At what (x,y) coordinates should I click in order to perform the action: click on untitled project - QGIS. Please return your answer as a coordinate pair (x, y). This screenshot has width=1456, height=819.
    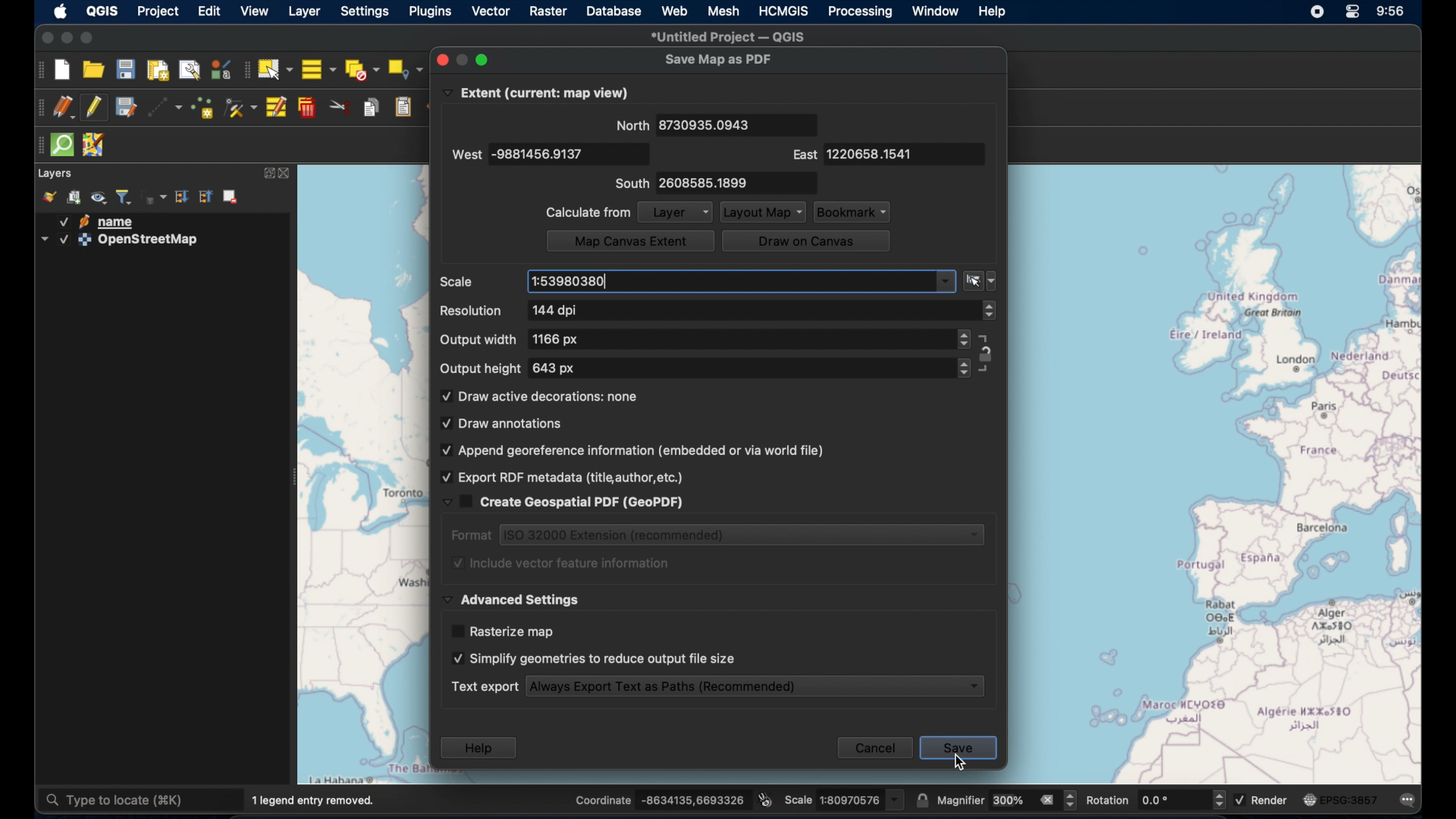
    Looking at the image, I should click on (730, 37).